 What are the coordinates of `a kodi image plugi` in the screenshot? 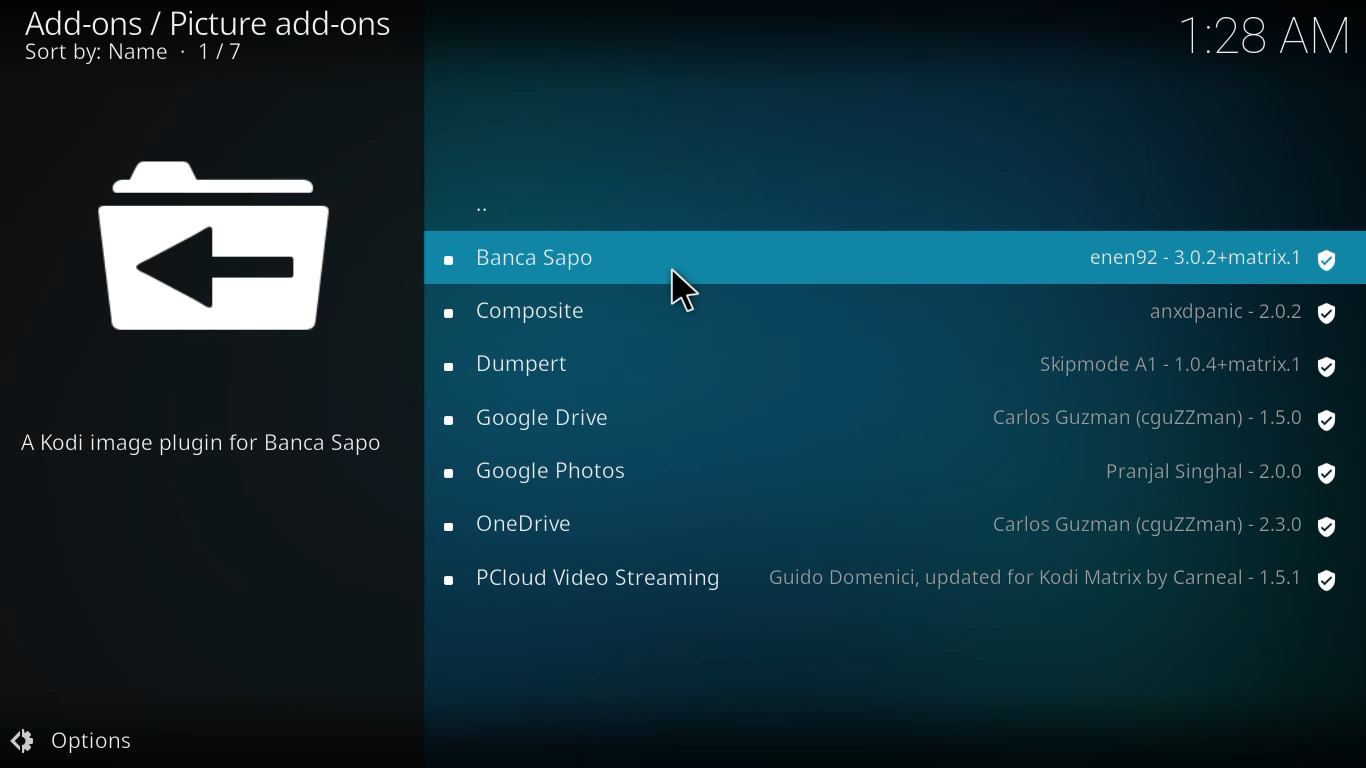 It's located at (205, 441).